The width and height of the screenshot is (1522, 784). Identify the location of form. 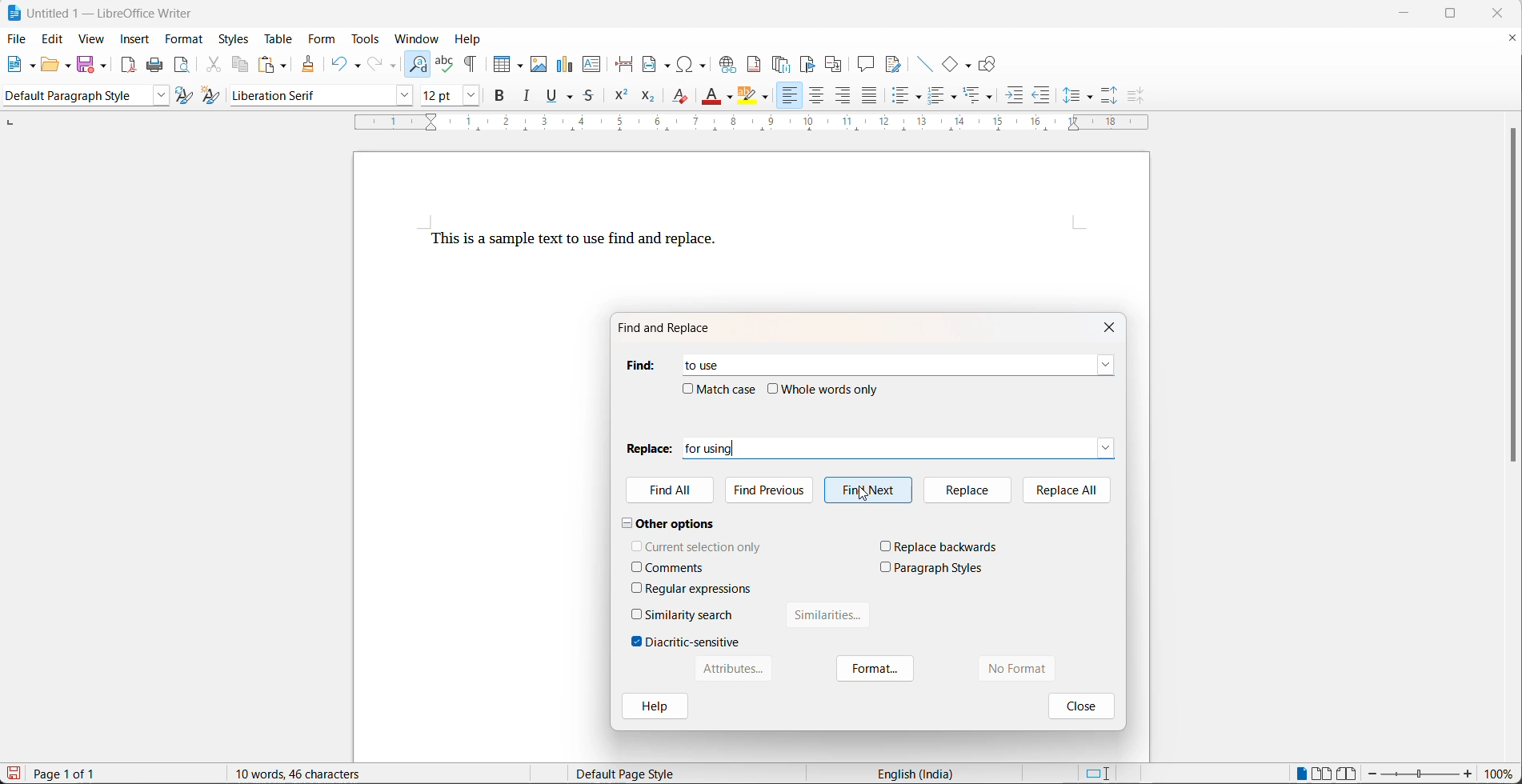
(321, 40).